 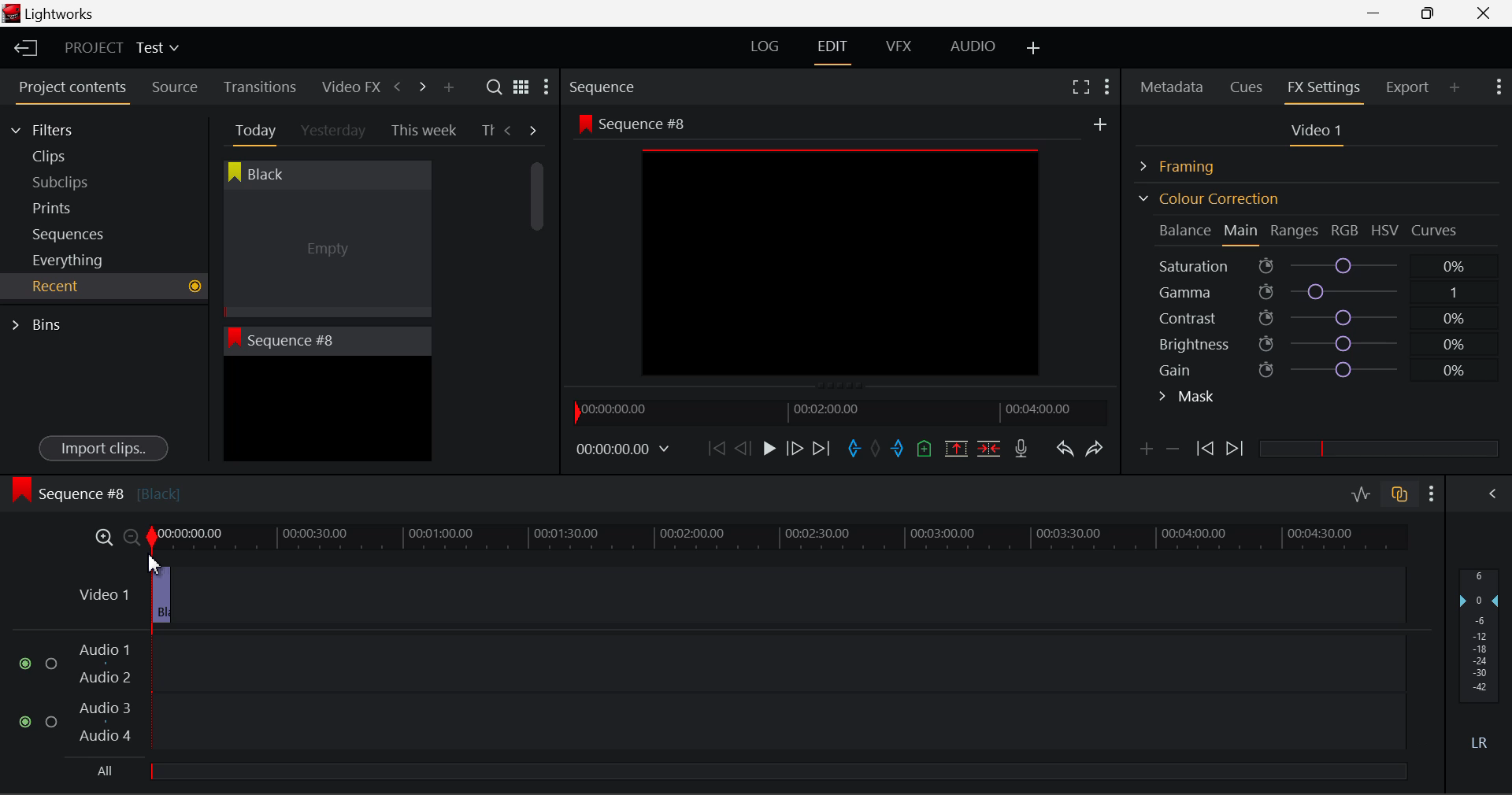 What do you see at coordinates (448, 88) in the screenshot?
I see `Add Panel` at bounding box center [448, 88].